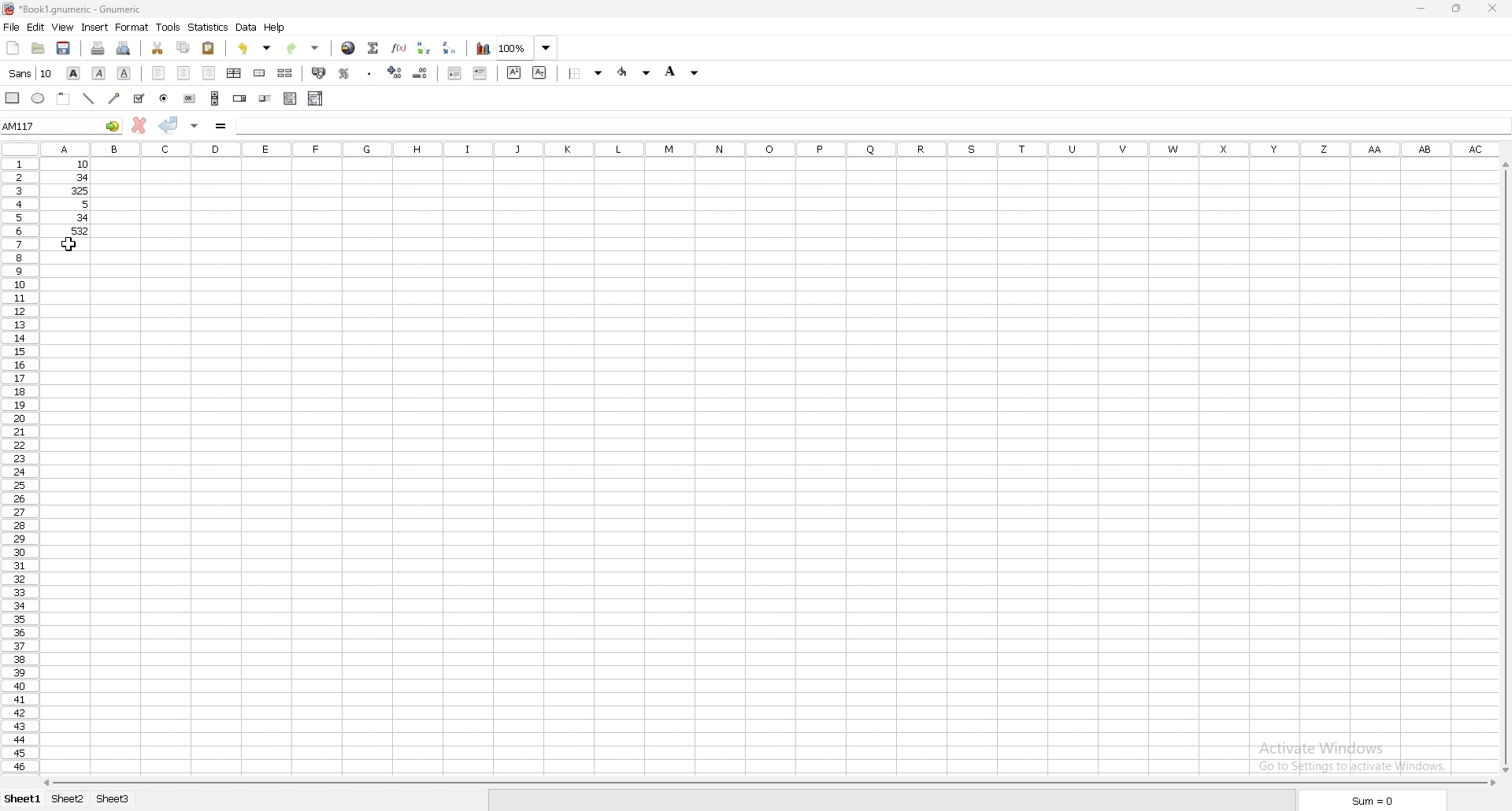 Image resolution: width=1512 pixels, height=811 pixels. What do you see at coordinates (63, 98) in the screenshot?
I see `frame` at bounding box center [63, 98].